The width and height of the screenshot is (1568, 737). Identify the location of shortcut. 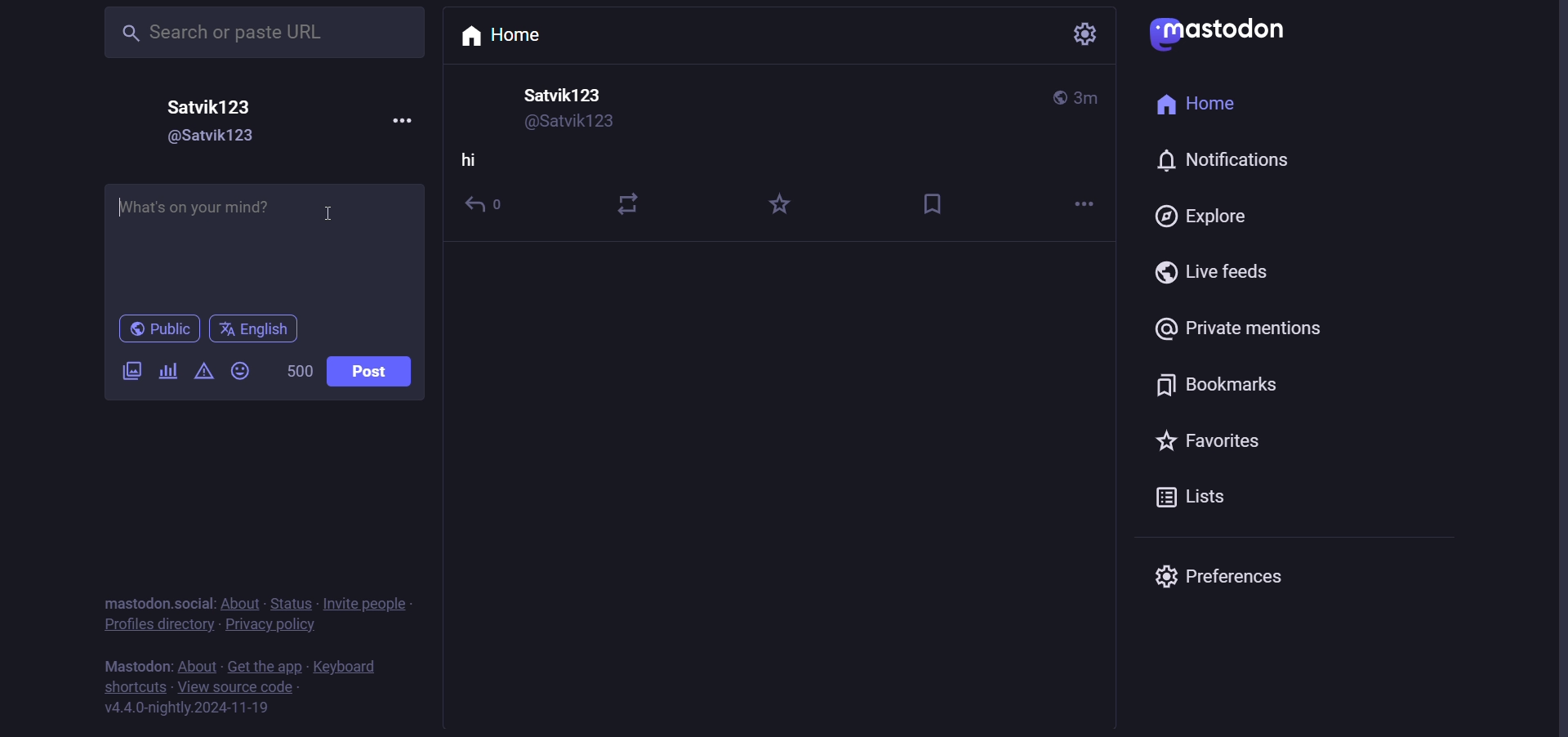
(137, 689).